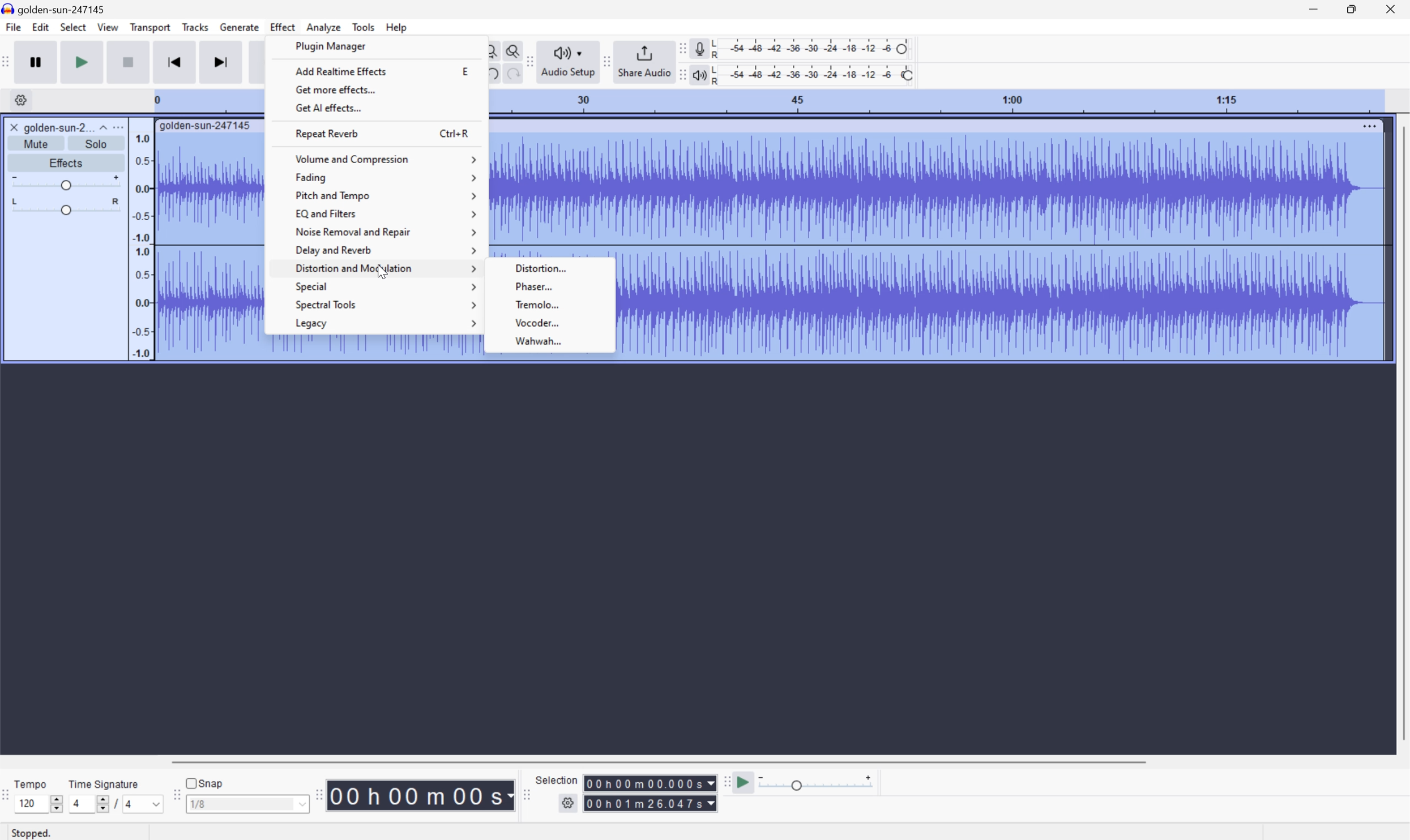  Describe the element at coordinates (421, 794) in the screenshot. I see `Time` at that location.